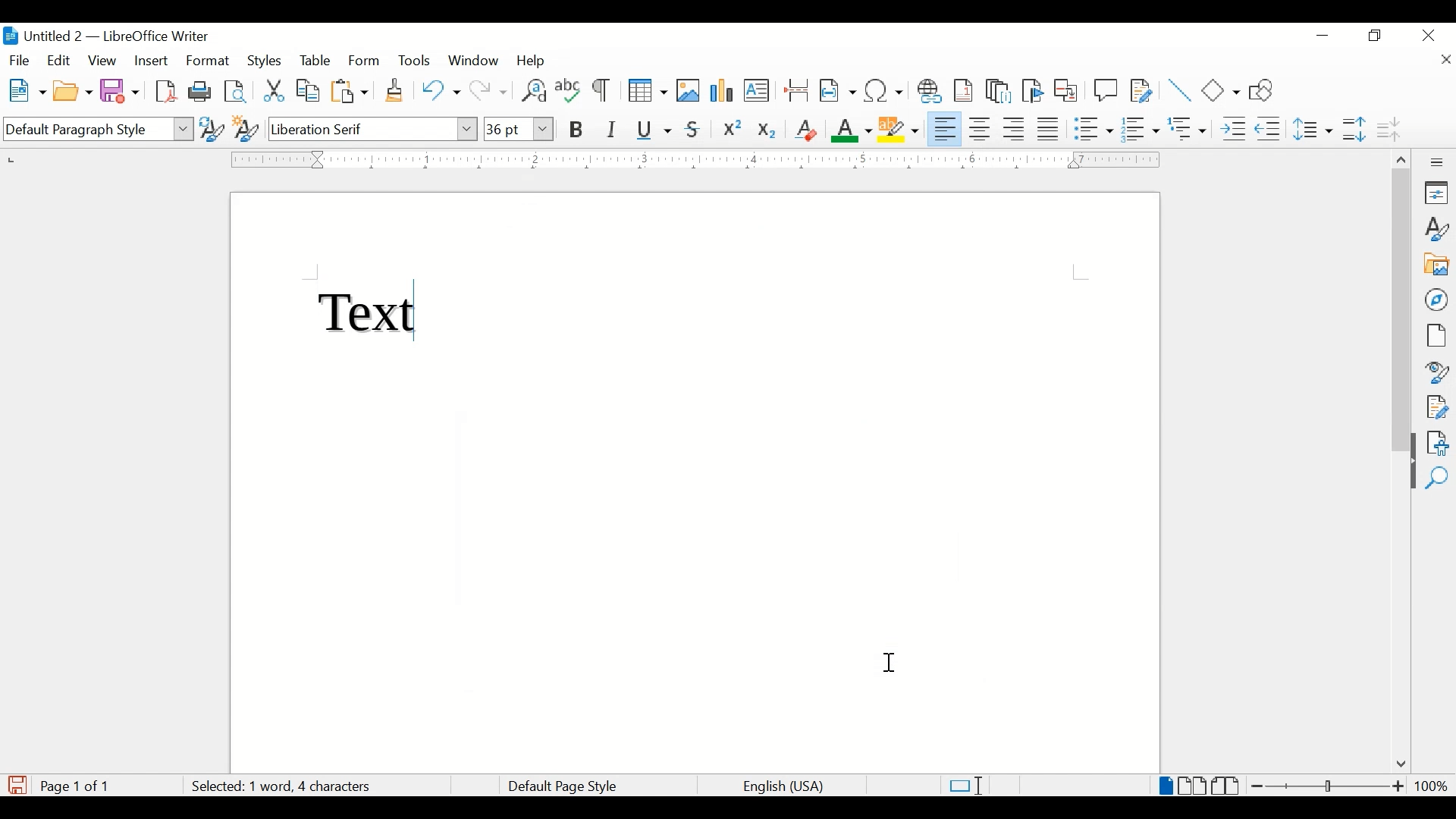 This screenshot has height=819, width=1456. I want to click on decrease indent, so click(1269, 128).